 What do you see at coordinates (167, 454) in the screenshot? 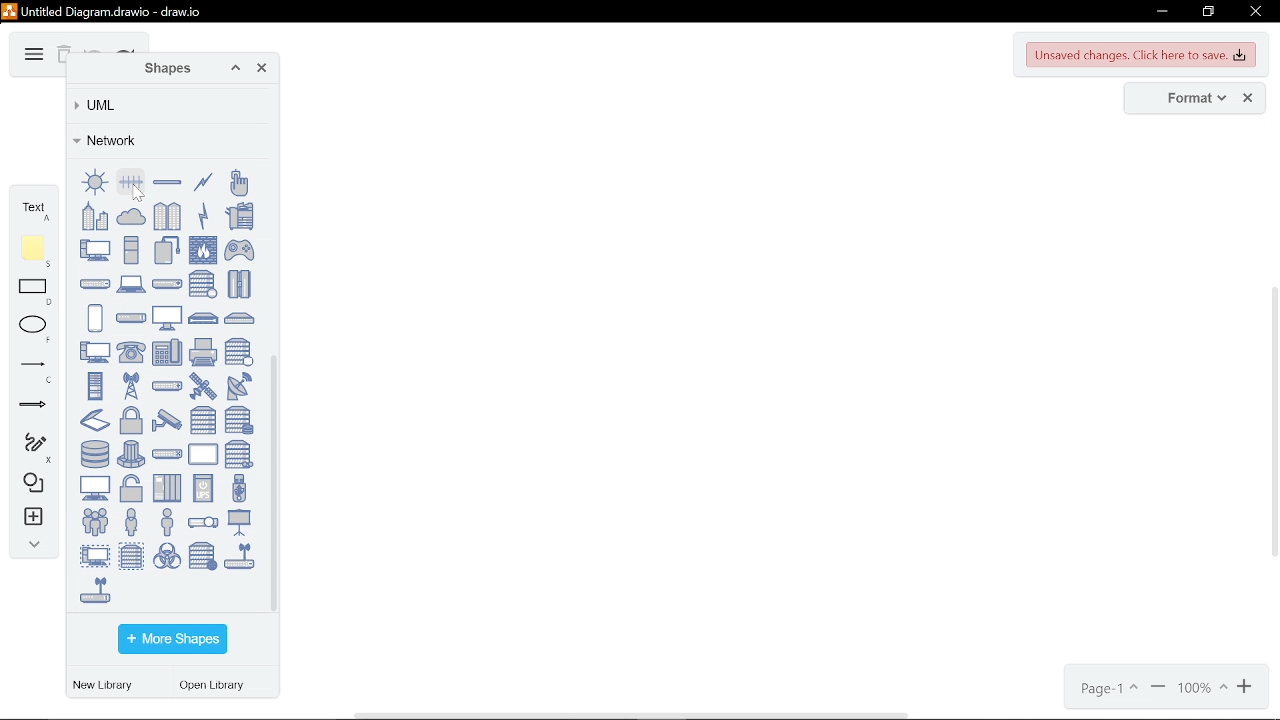
I see `switch` at bounding box center [167, 454].